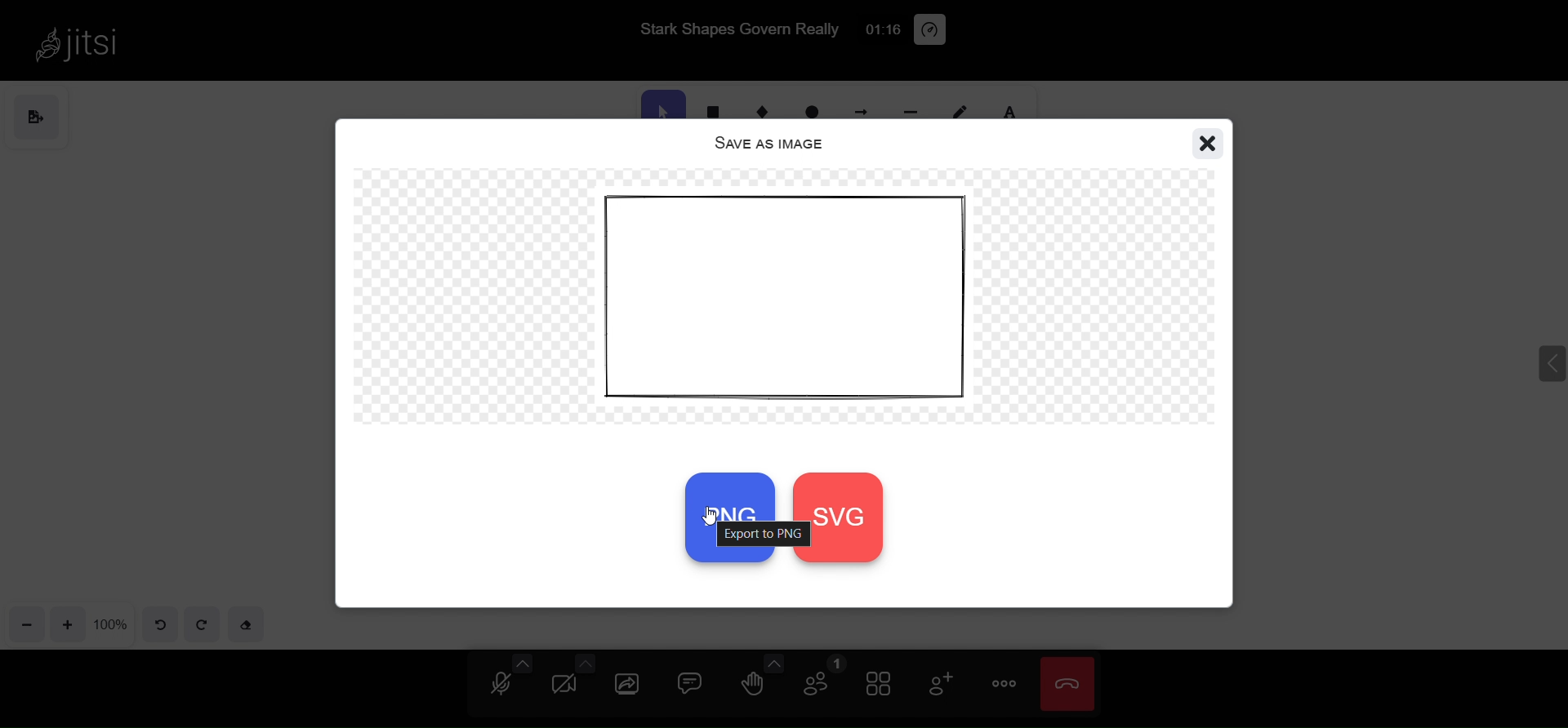 The image size is (1568, 728). Describe the element at coordinates (25, 625) in the screenshot. I see `zoom out` at that location.